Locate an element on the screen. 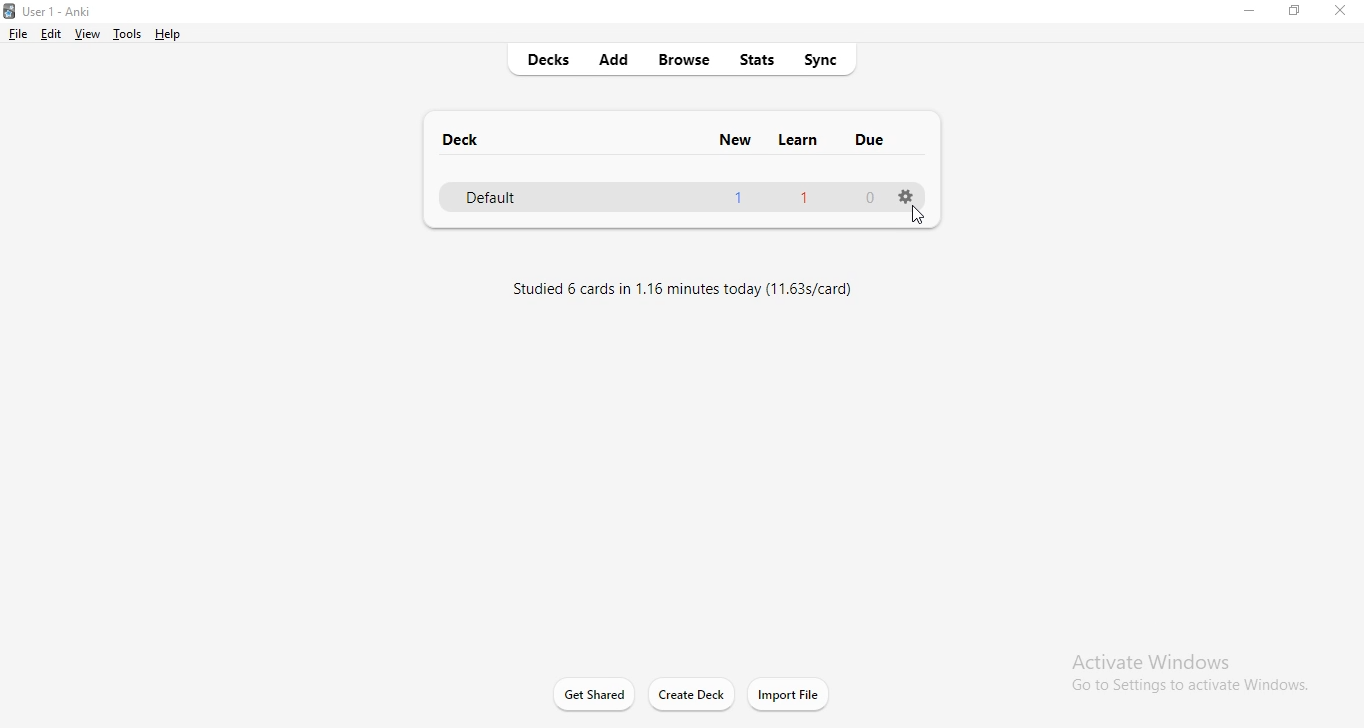 This screenshot has width=1364, height=728. new is located at coordinates (739, 143).